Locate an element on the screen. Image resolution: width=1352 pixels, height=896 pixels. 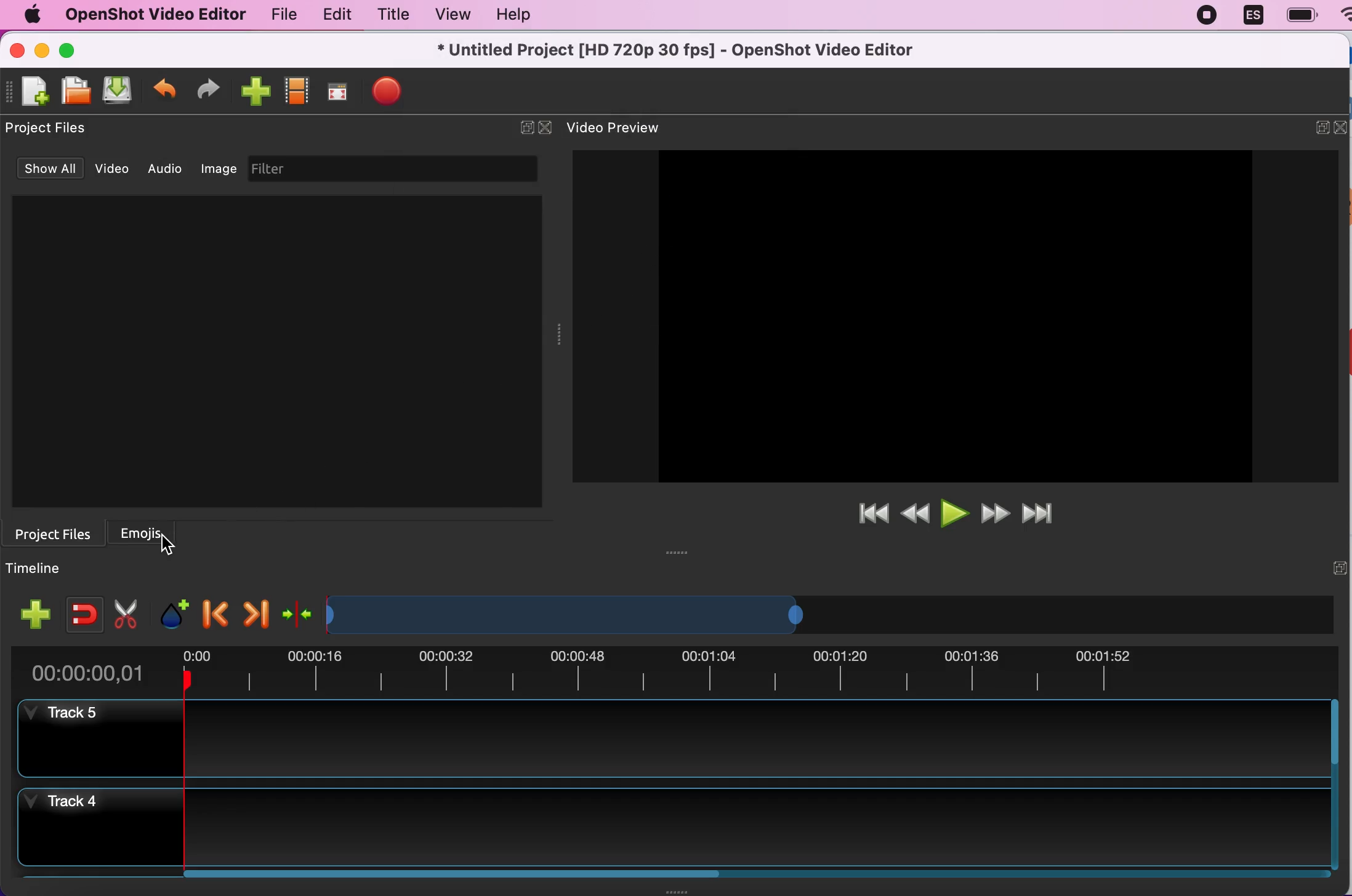
audio is located at coordinates (167, 167).